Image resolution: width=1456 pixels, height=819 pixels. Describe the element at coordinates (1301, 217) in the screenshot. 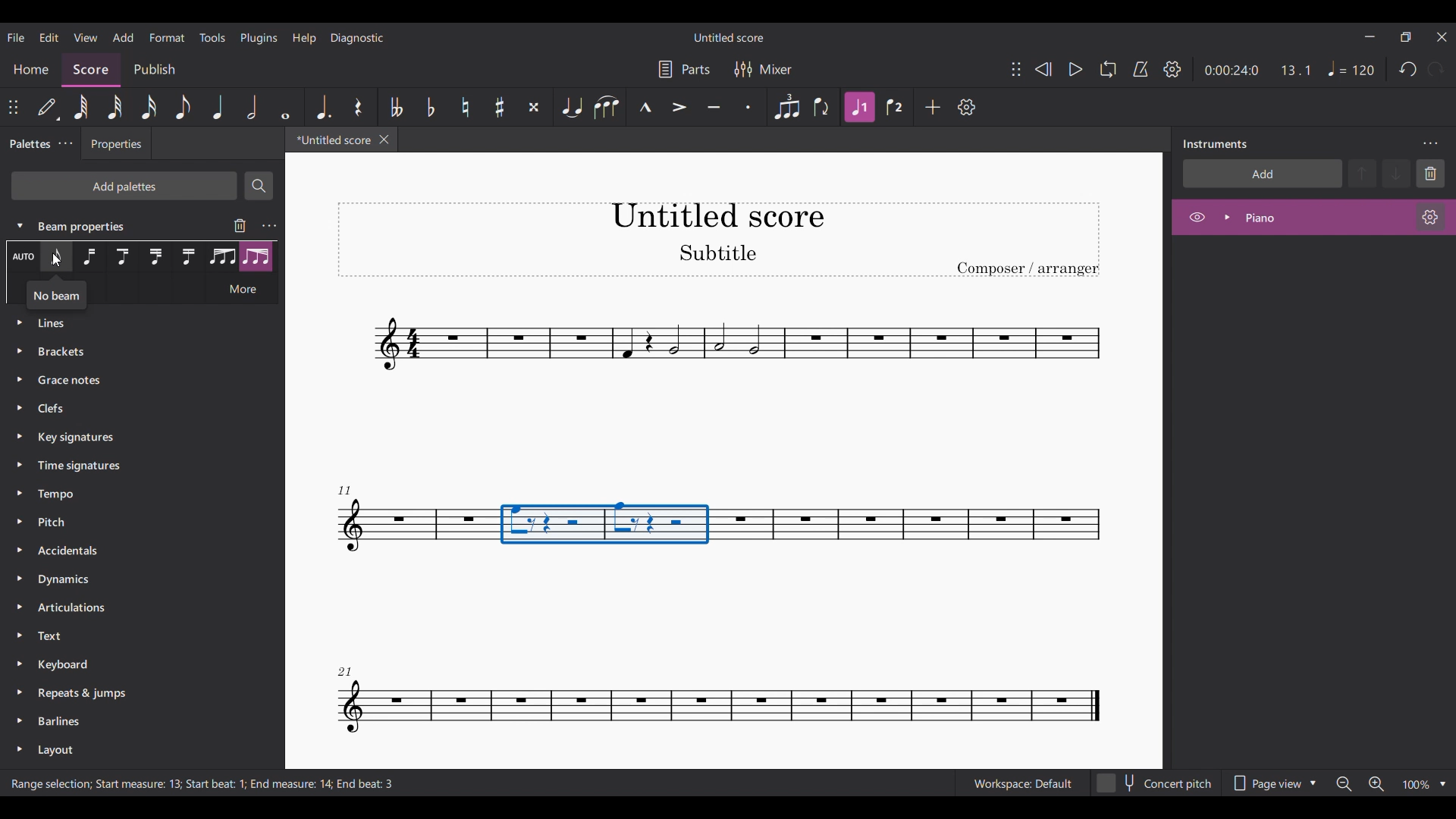

I see `Piano` at that location.